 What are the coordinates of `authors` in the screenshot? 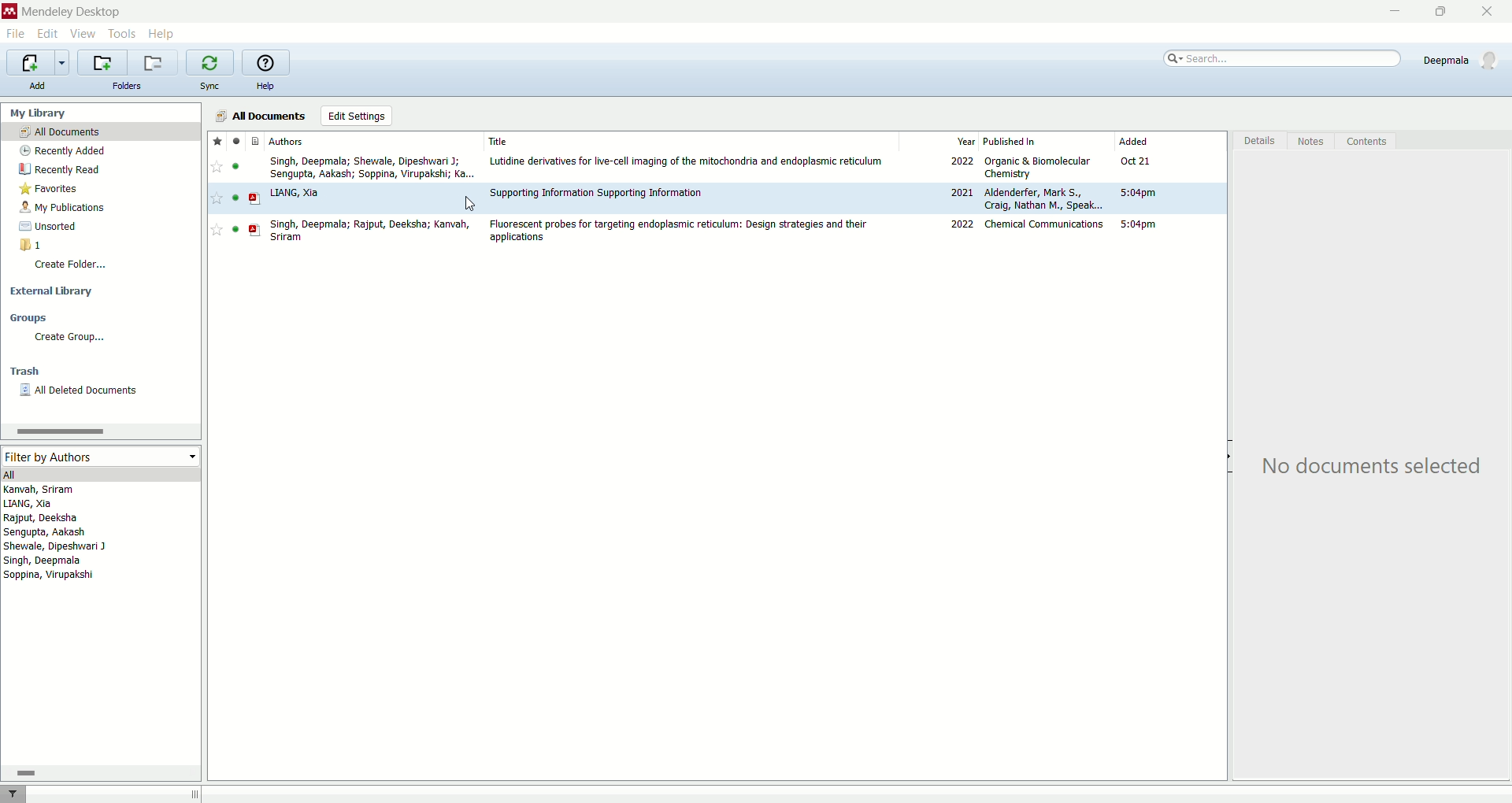 It's located at (287, 141).